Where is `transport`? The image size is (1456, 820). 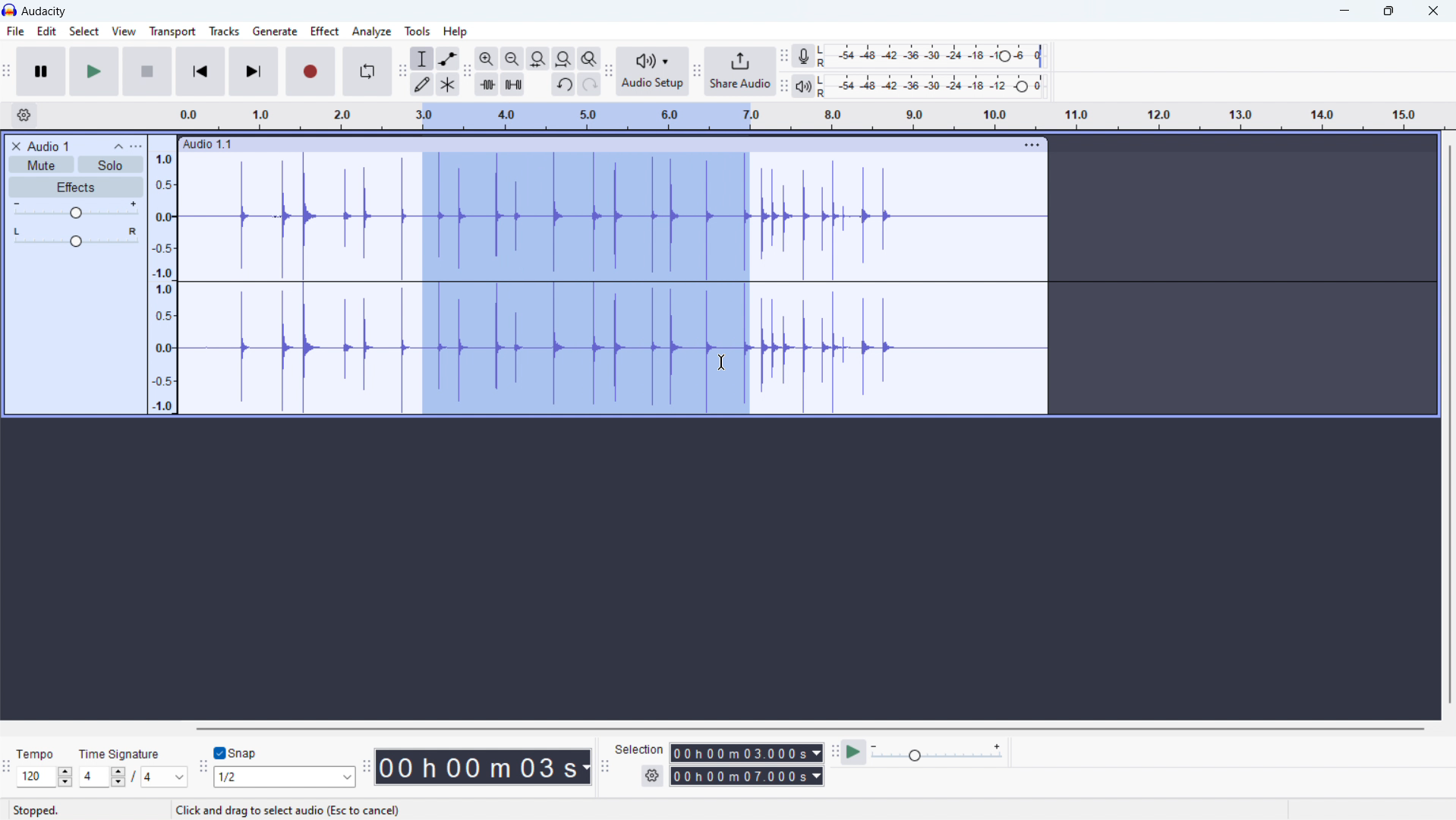
transport is located at coordinates (172, 31).